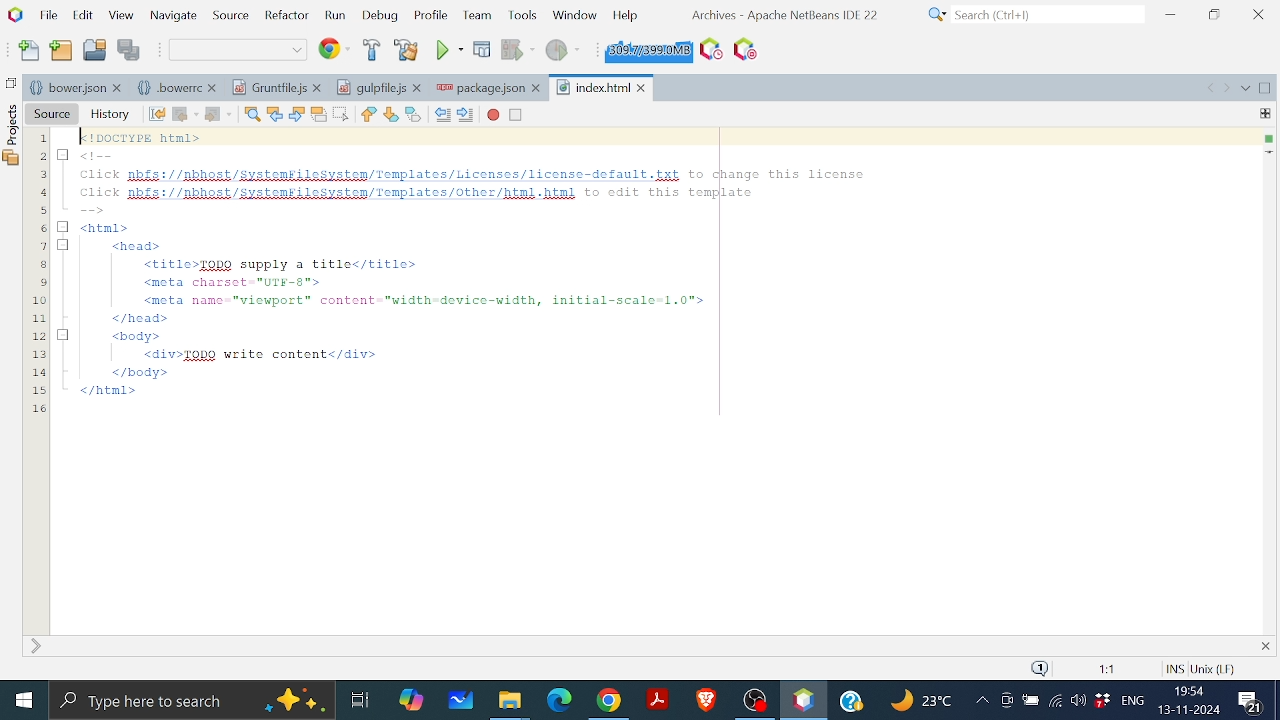 This screenshot has height=720, width=1280. Describe the element at coordinates (62, 52) in the screenshot. I see `add folder` at that location.